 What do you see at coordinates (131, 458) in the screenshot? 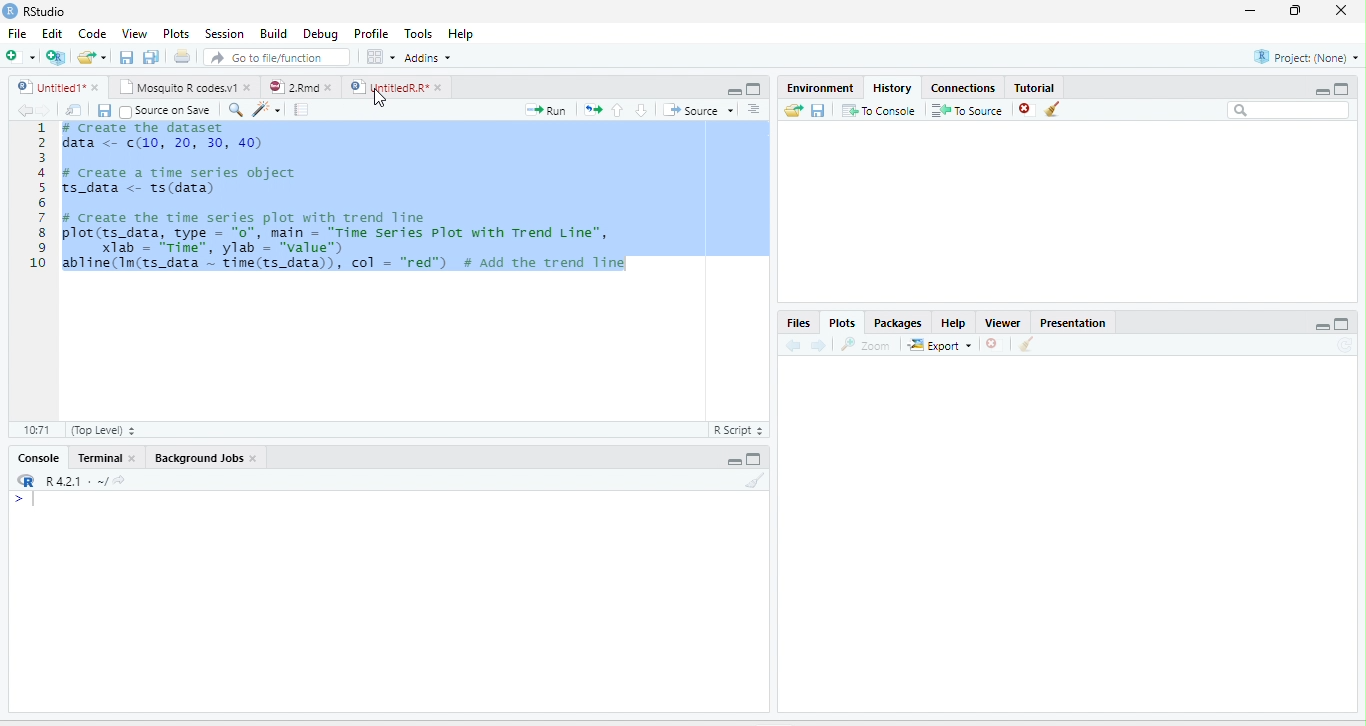
I see `close` at bounding box center [131, 458].